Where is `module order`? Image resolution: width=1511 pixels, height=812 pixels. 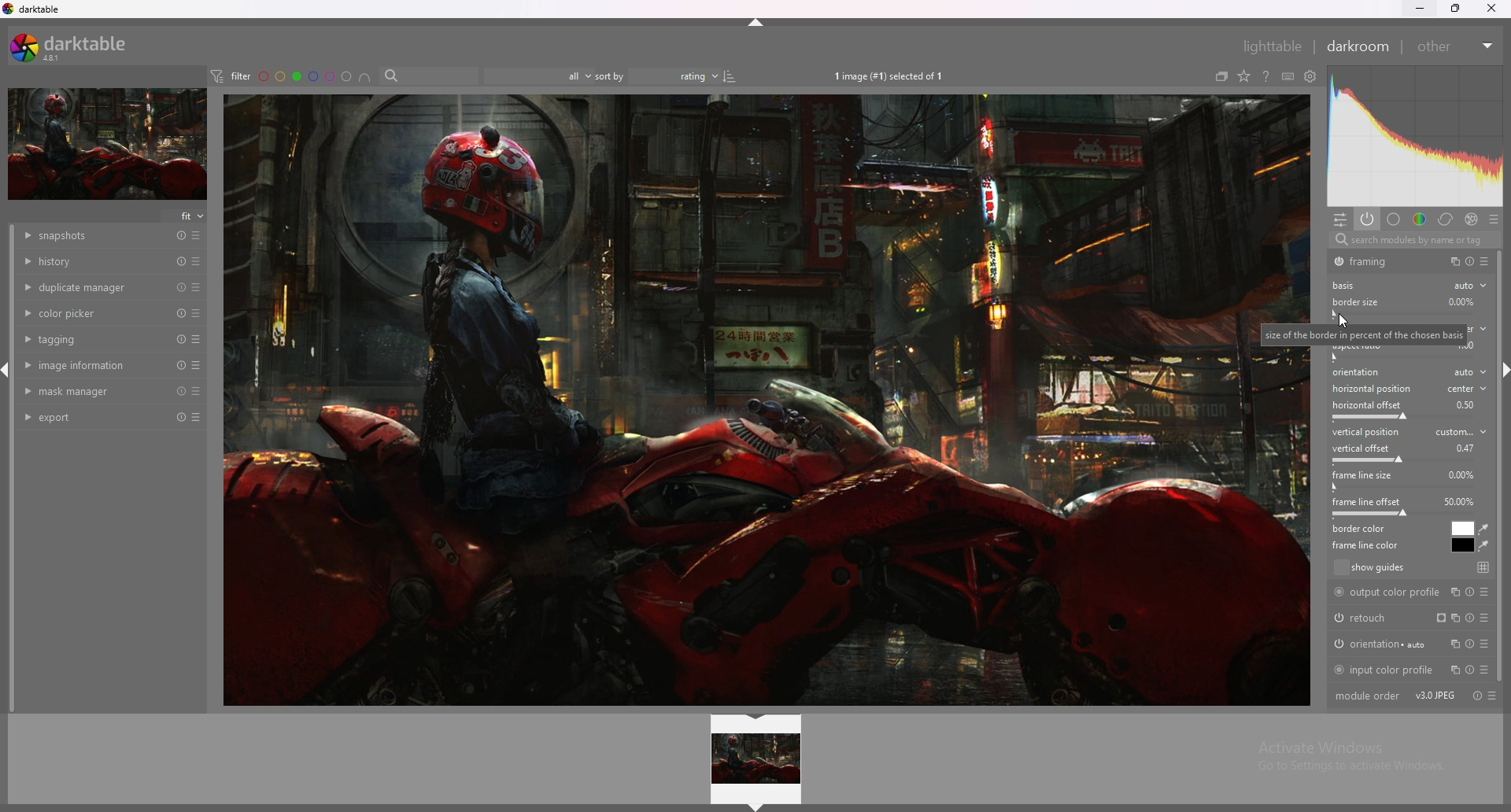
module order is located at coordinates (1367, 696).